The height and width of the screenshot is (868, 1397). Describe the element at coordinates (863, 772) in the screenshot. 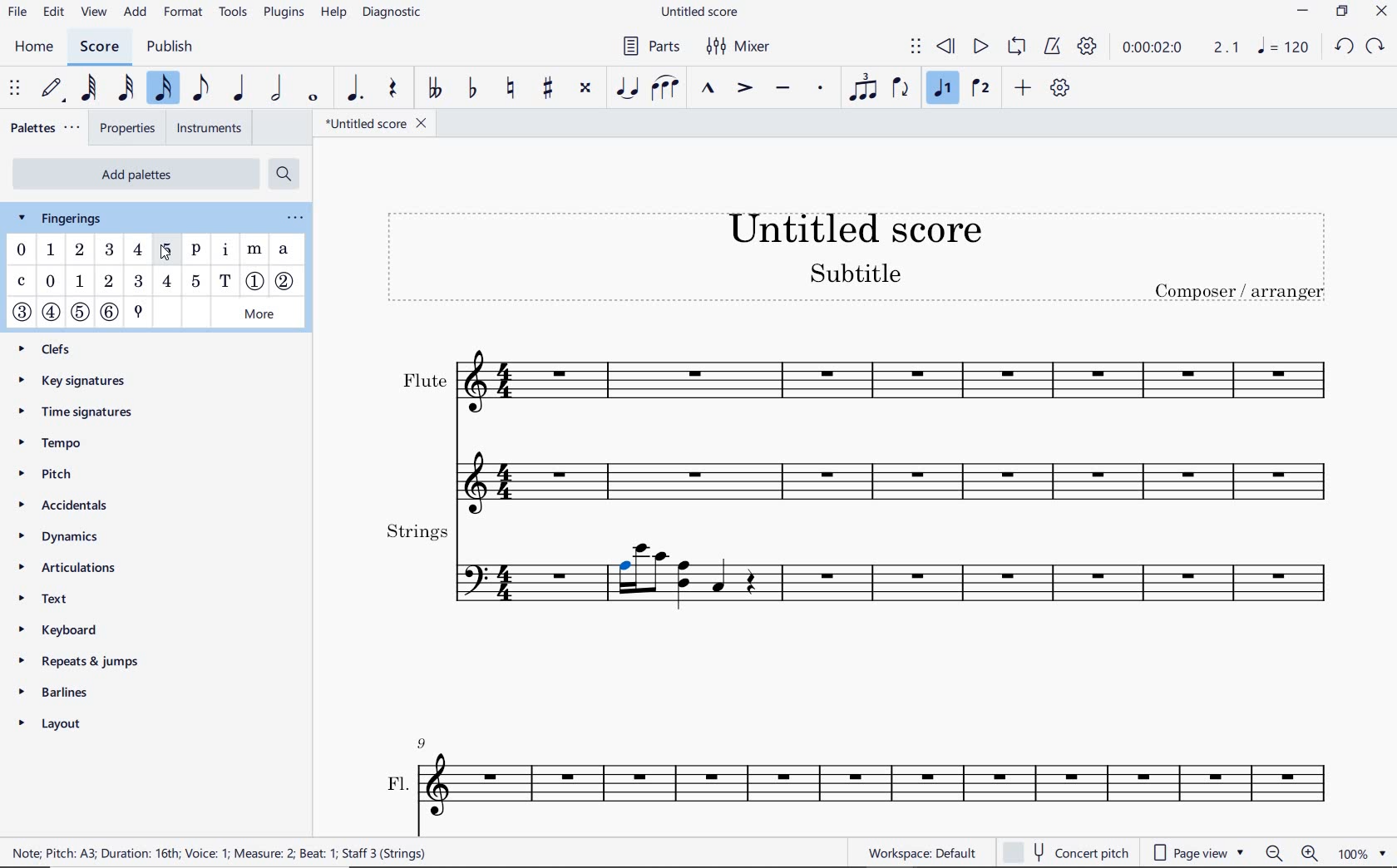

I see `Fl.` at that location.